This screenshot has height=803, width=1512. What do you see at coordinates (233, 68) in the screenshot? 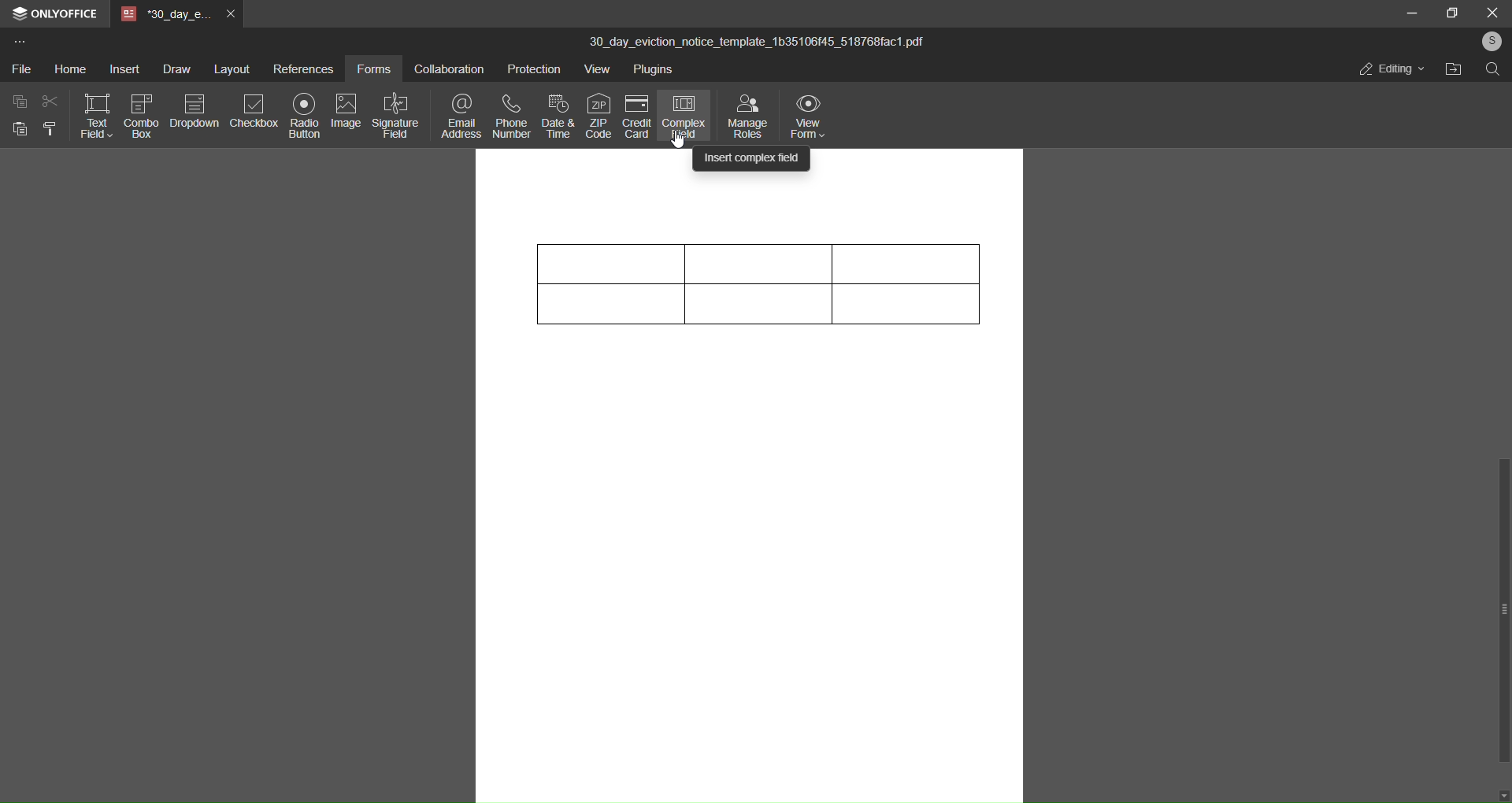
I see `layout` at bounding box center [233, 68].